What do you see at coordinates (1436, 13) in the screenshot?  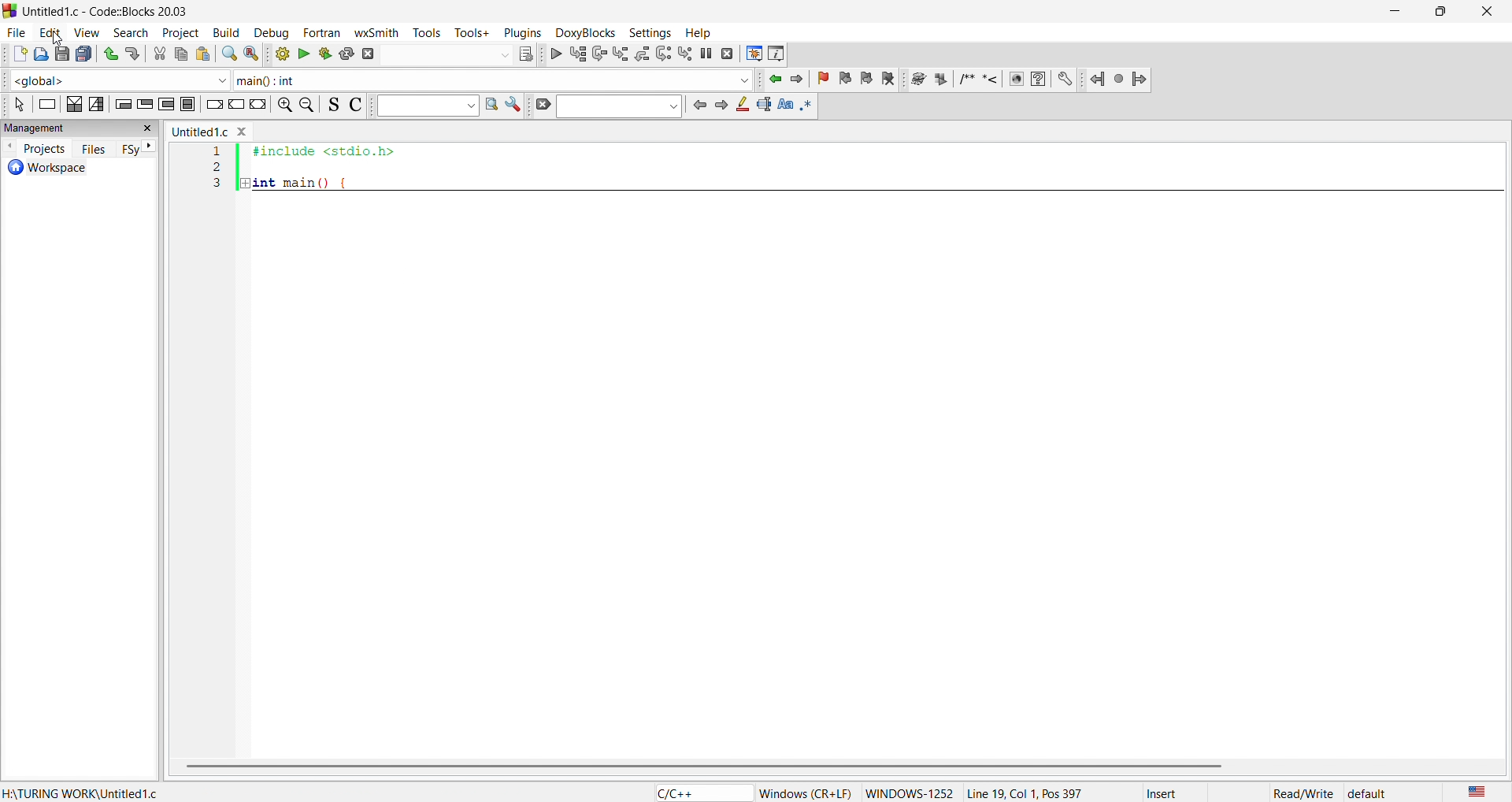 I see `maximize/restore` at bounding box center [1436, 13].